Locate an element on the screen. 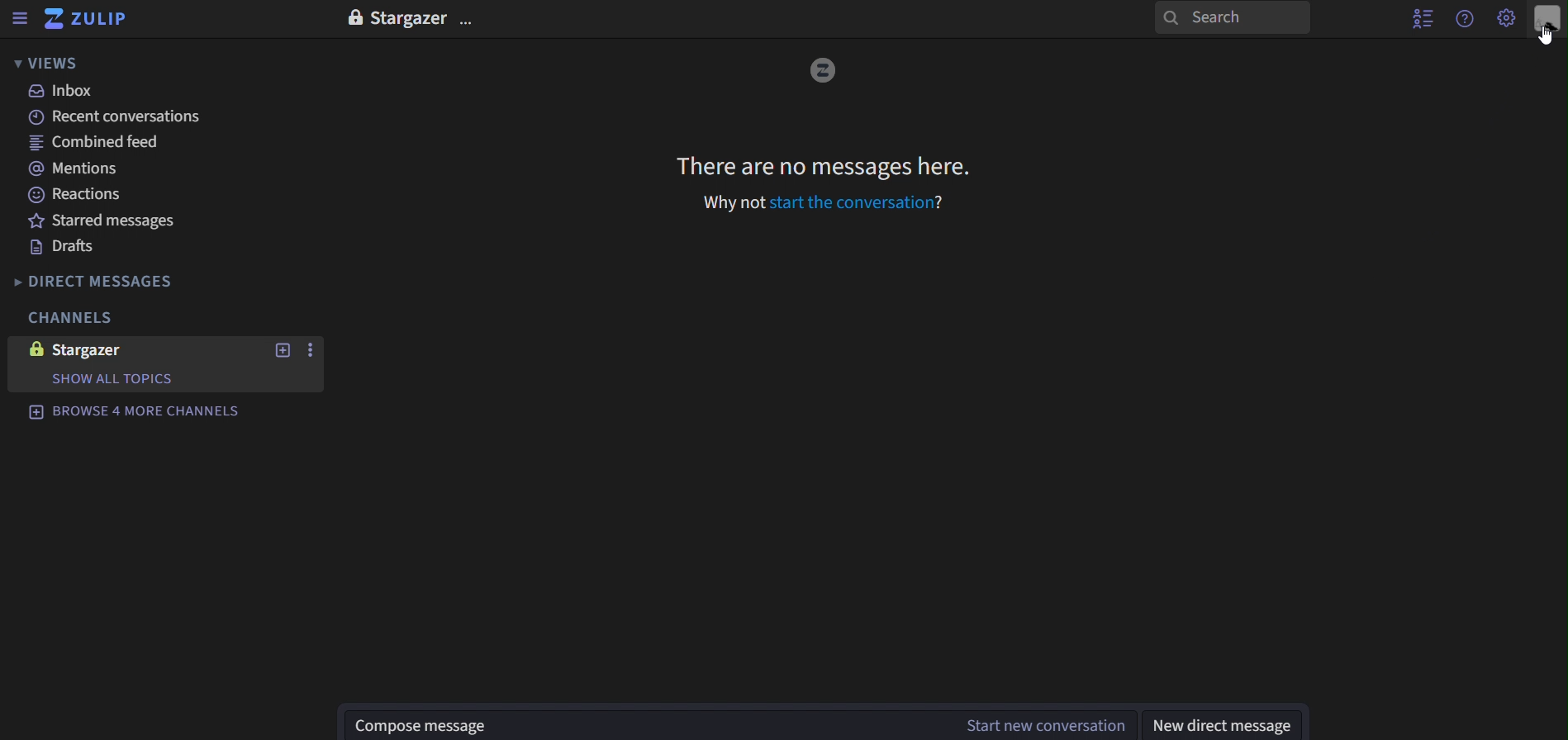  why not is located at coordinates (731, 203).